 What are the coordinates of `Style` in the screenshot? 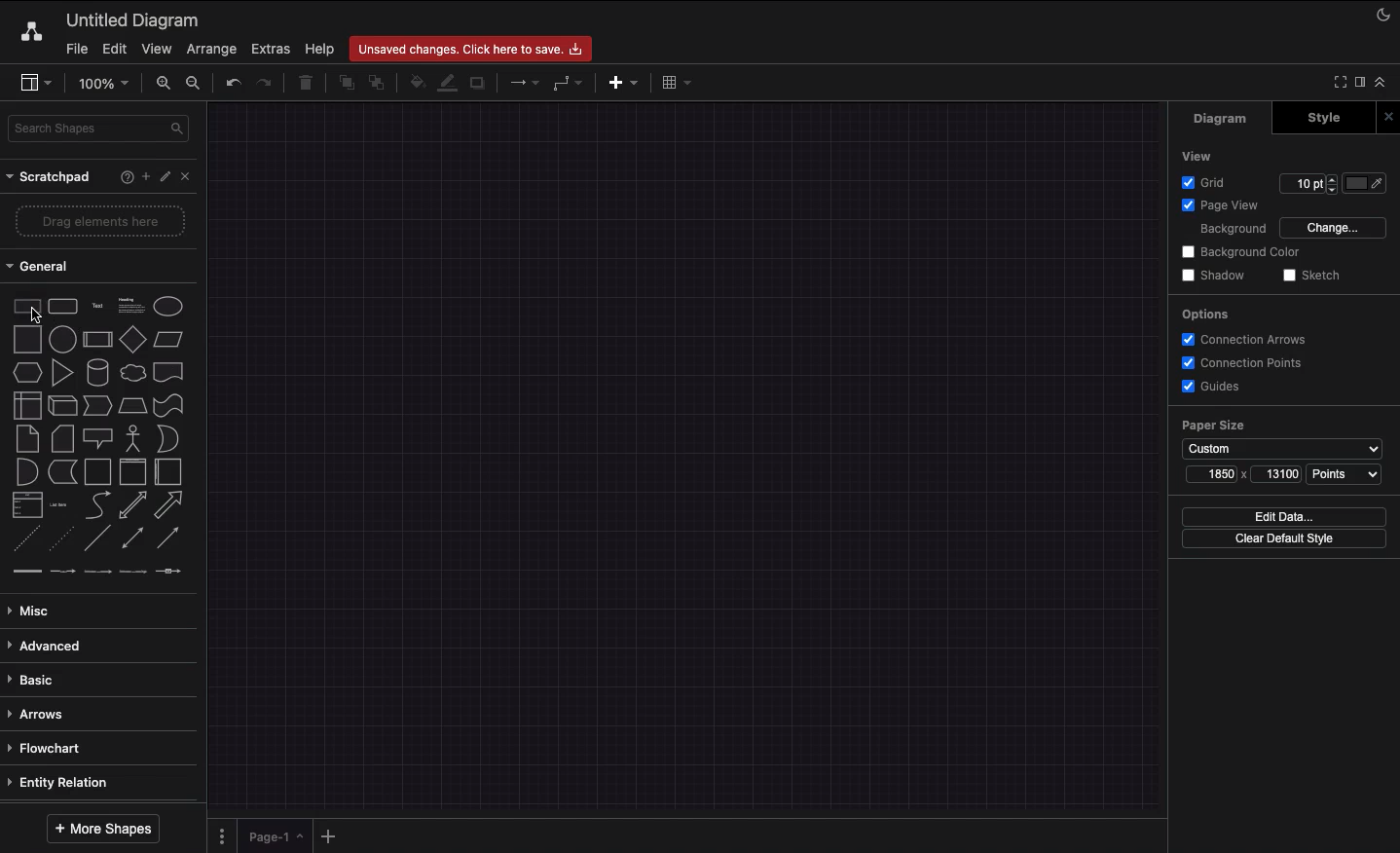 It's located at (1326, 118).